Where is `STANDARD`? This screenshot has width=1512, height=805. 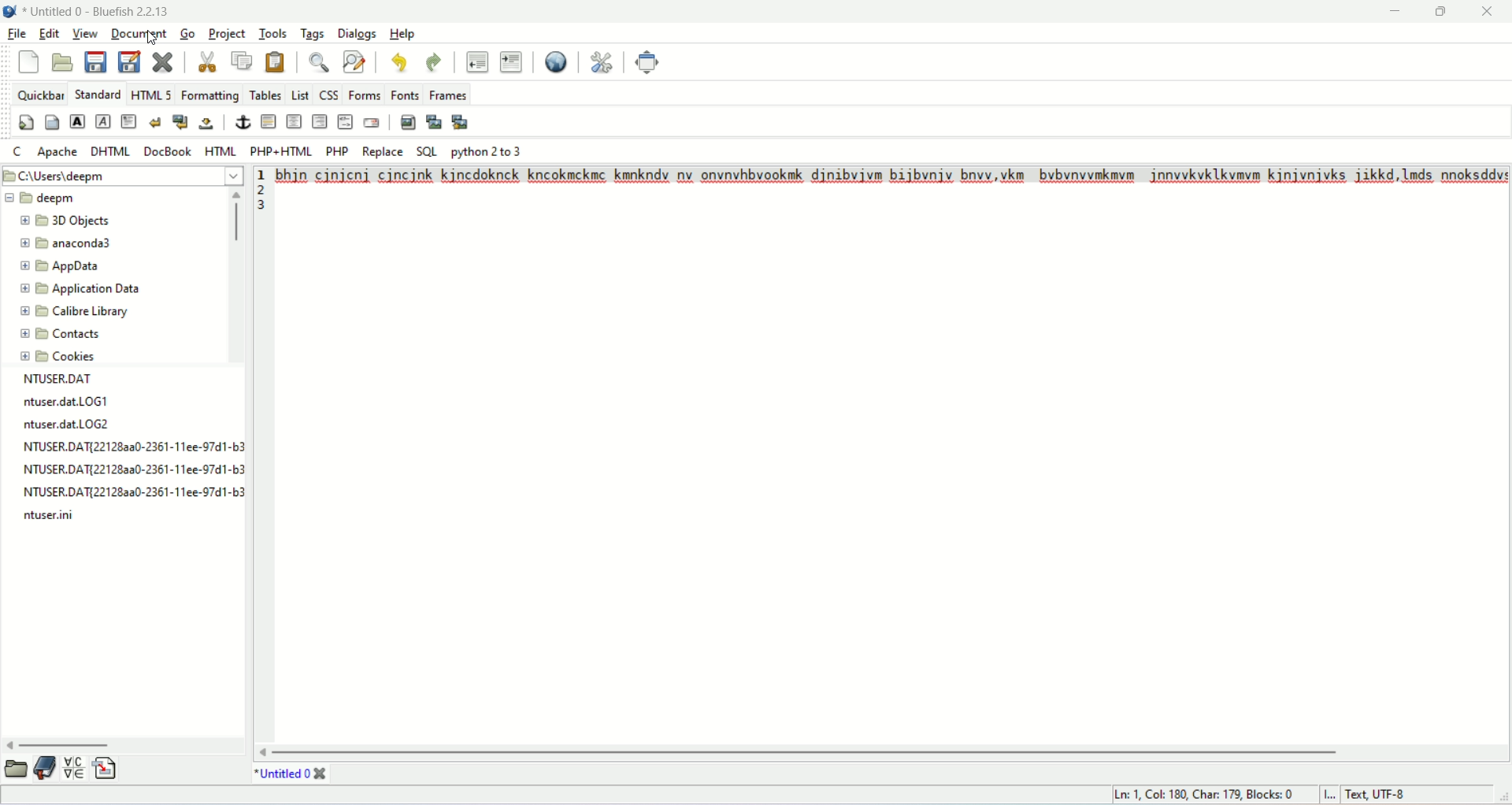
STANDARD is located at coordinates (100, 91).